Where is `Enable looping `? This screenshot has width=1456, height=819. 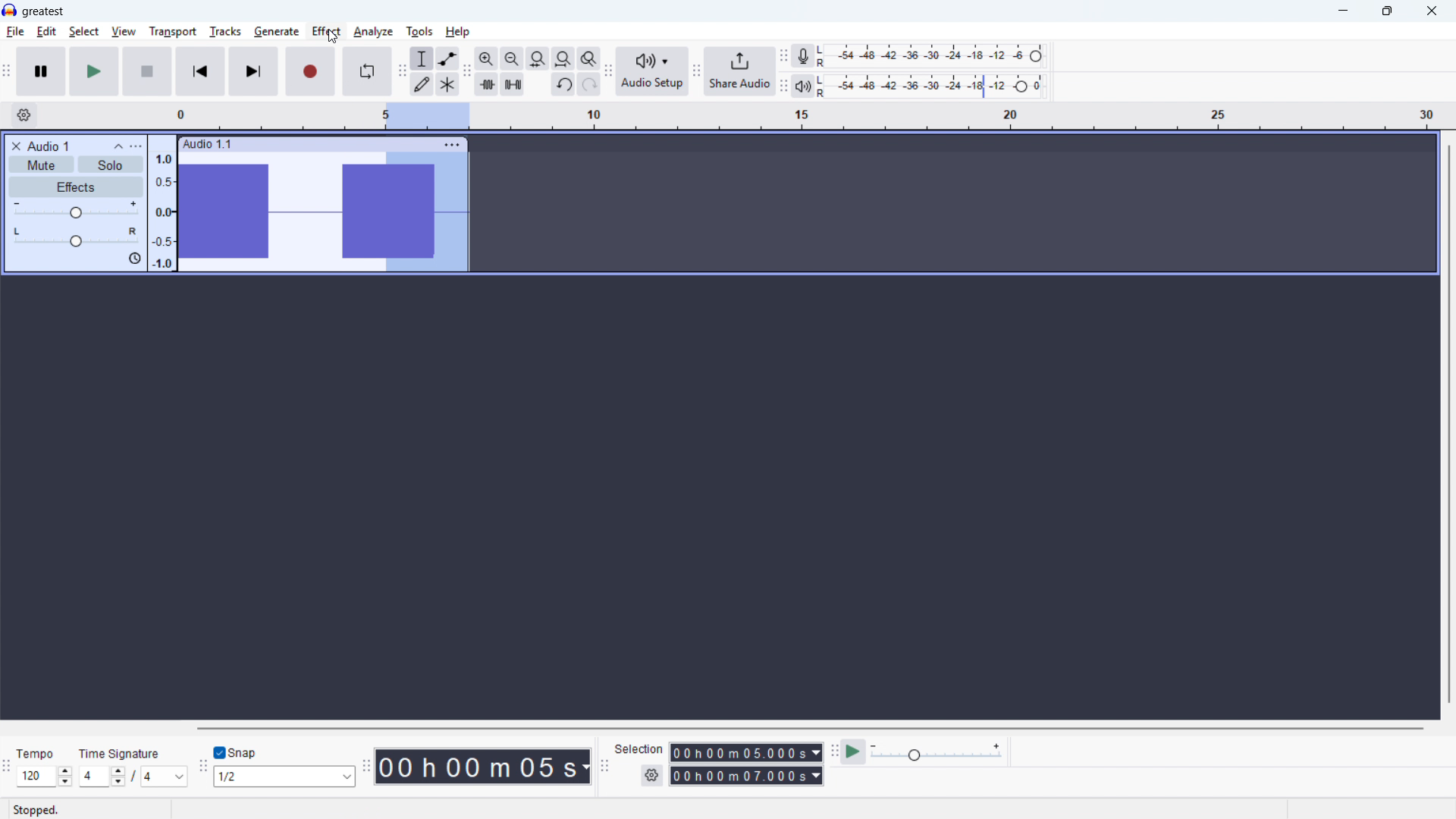
Enable looping  is located at coordinates (367, 71).